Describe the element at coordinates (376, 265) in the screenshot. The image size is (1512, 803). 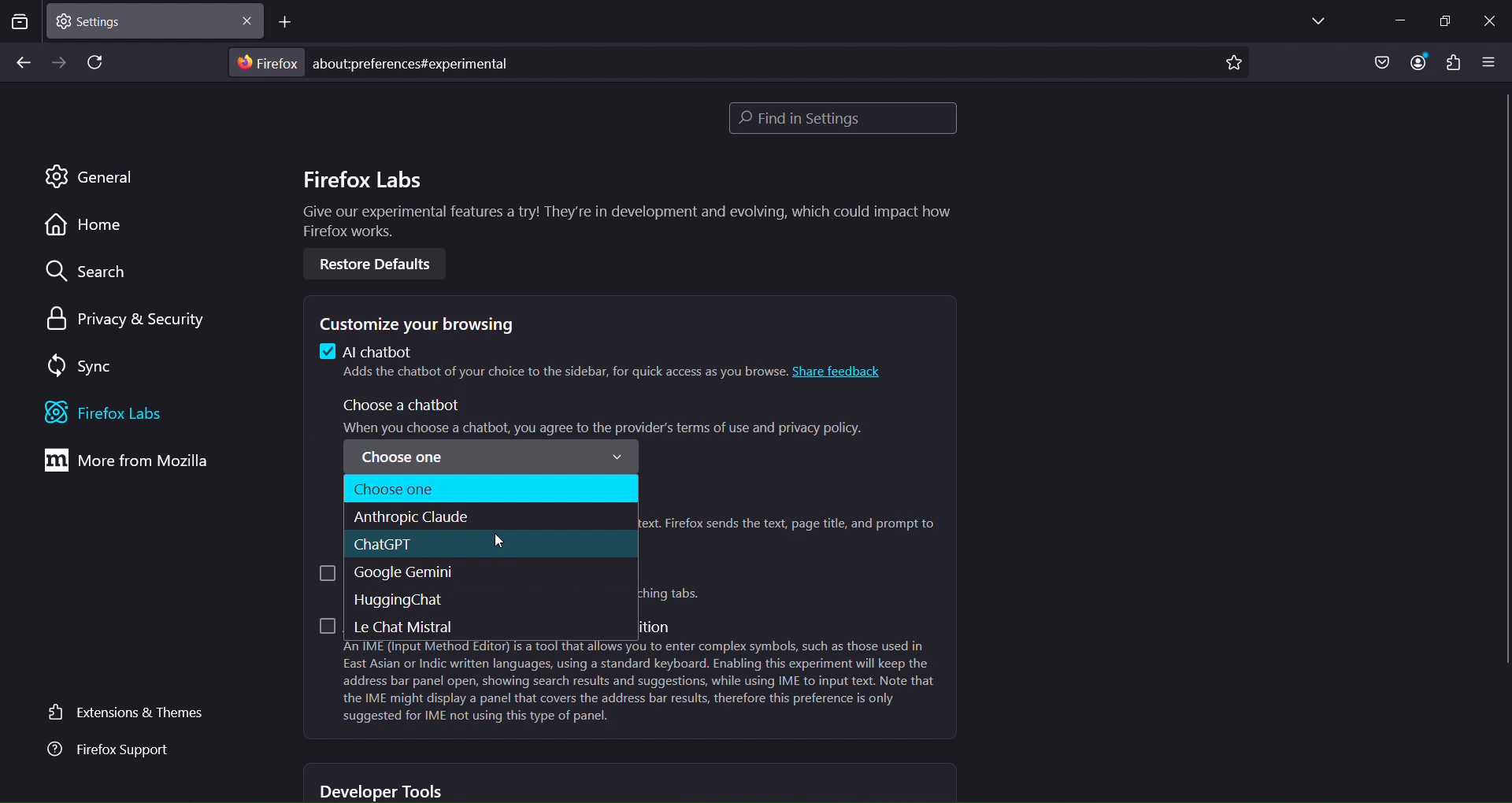
I see `Restore Defaults` at that location.